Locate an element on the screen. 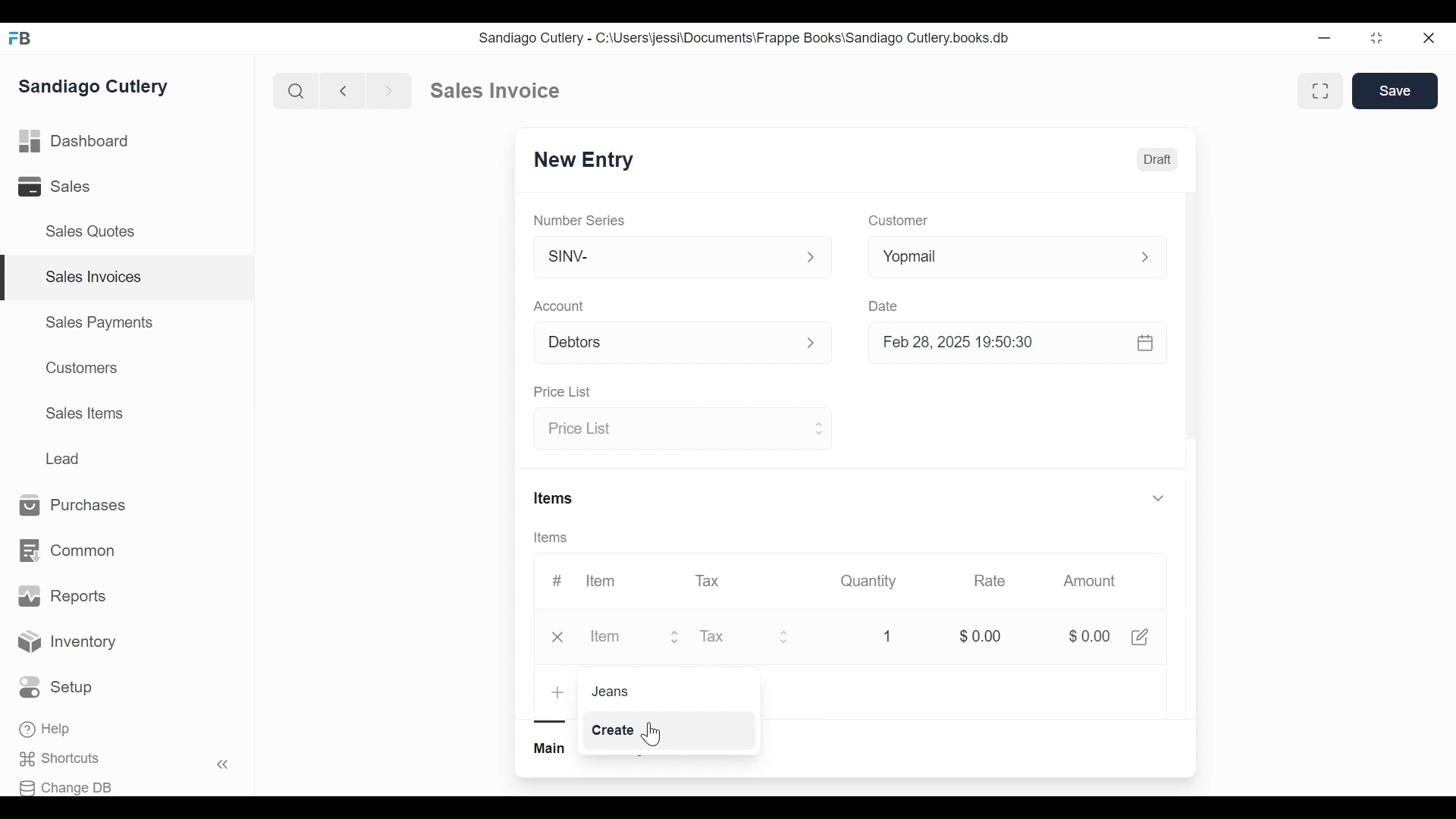 The image size is (1456, 819). Price List is located at coordinates (680, 430).